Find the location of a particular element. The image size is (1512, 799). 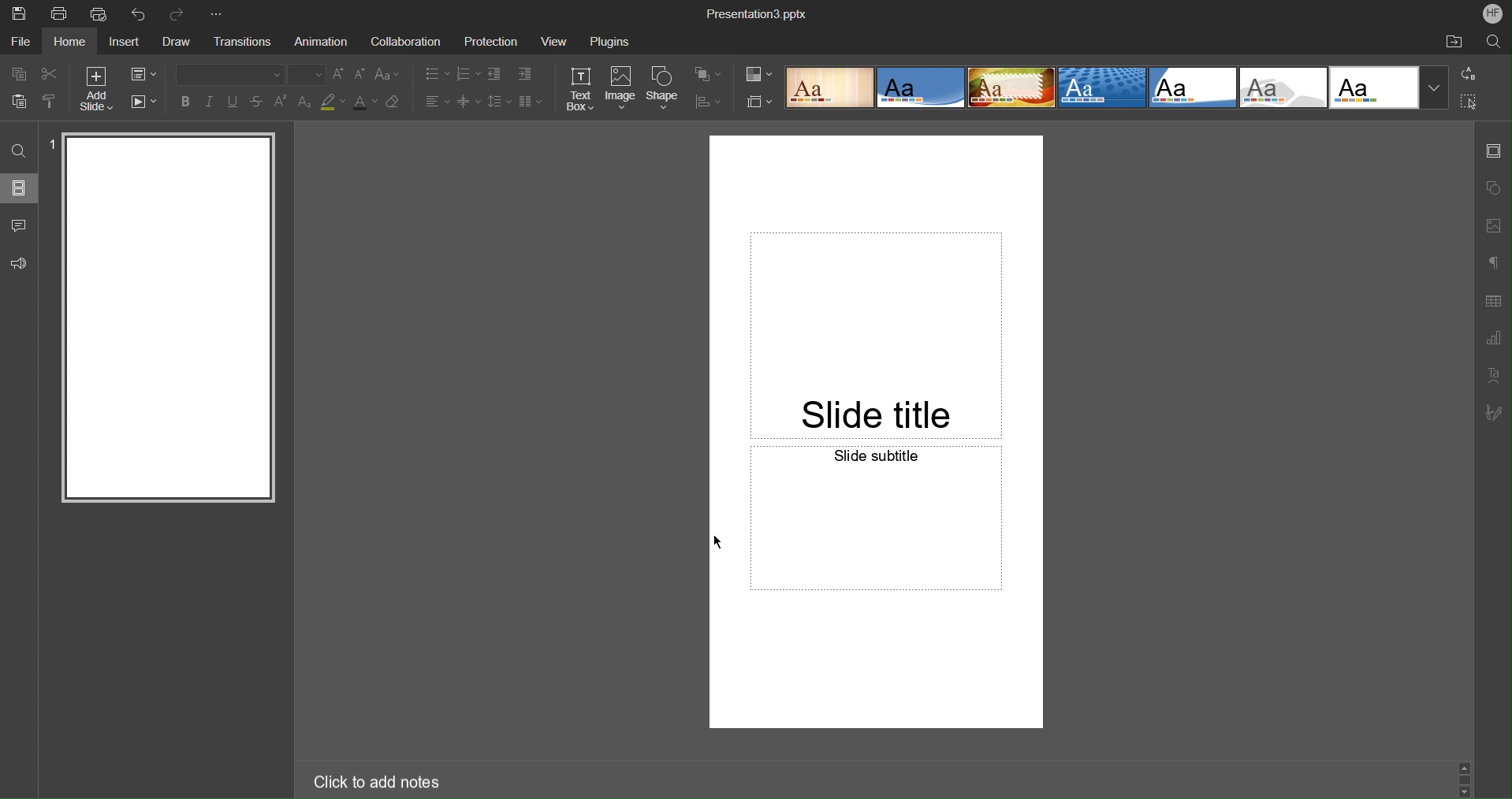

Text Case is located at coordinates (389, 75).